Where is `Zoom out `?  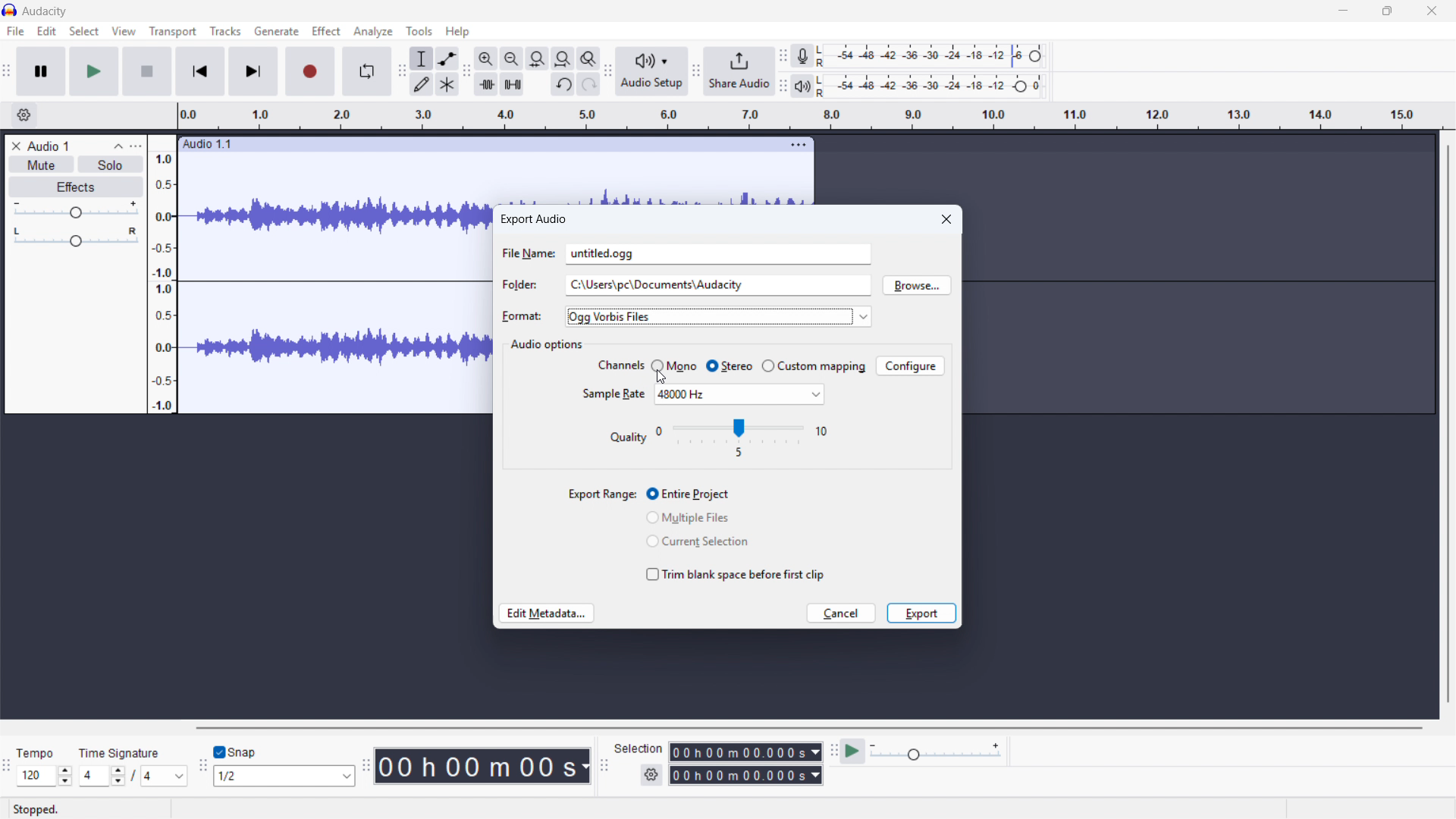
Zoom out  is located at coordinates (512, 58).